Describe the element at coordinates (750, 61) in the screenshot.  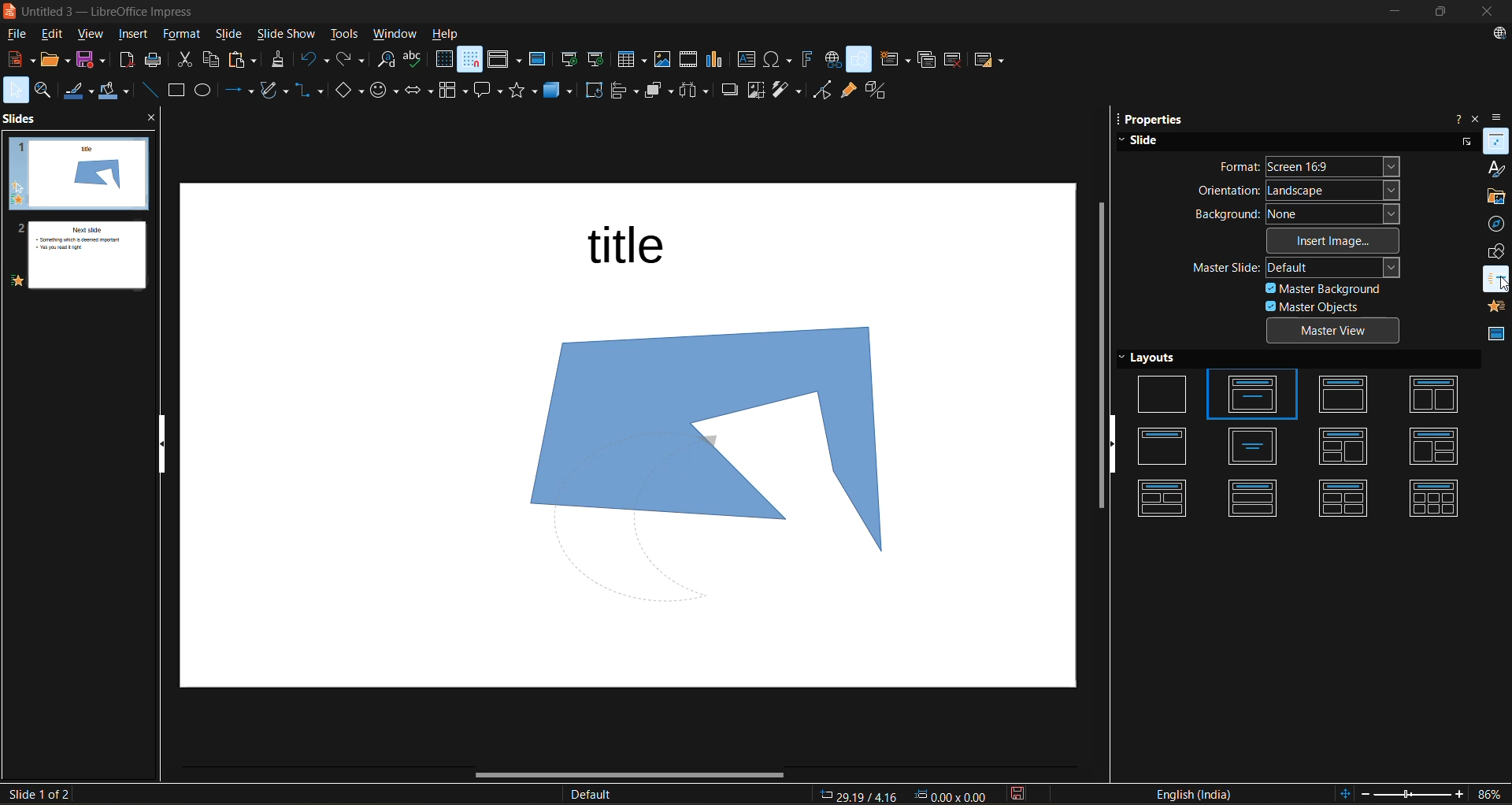
I see `insert text box` at that location.